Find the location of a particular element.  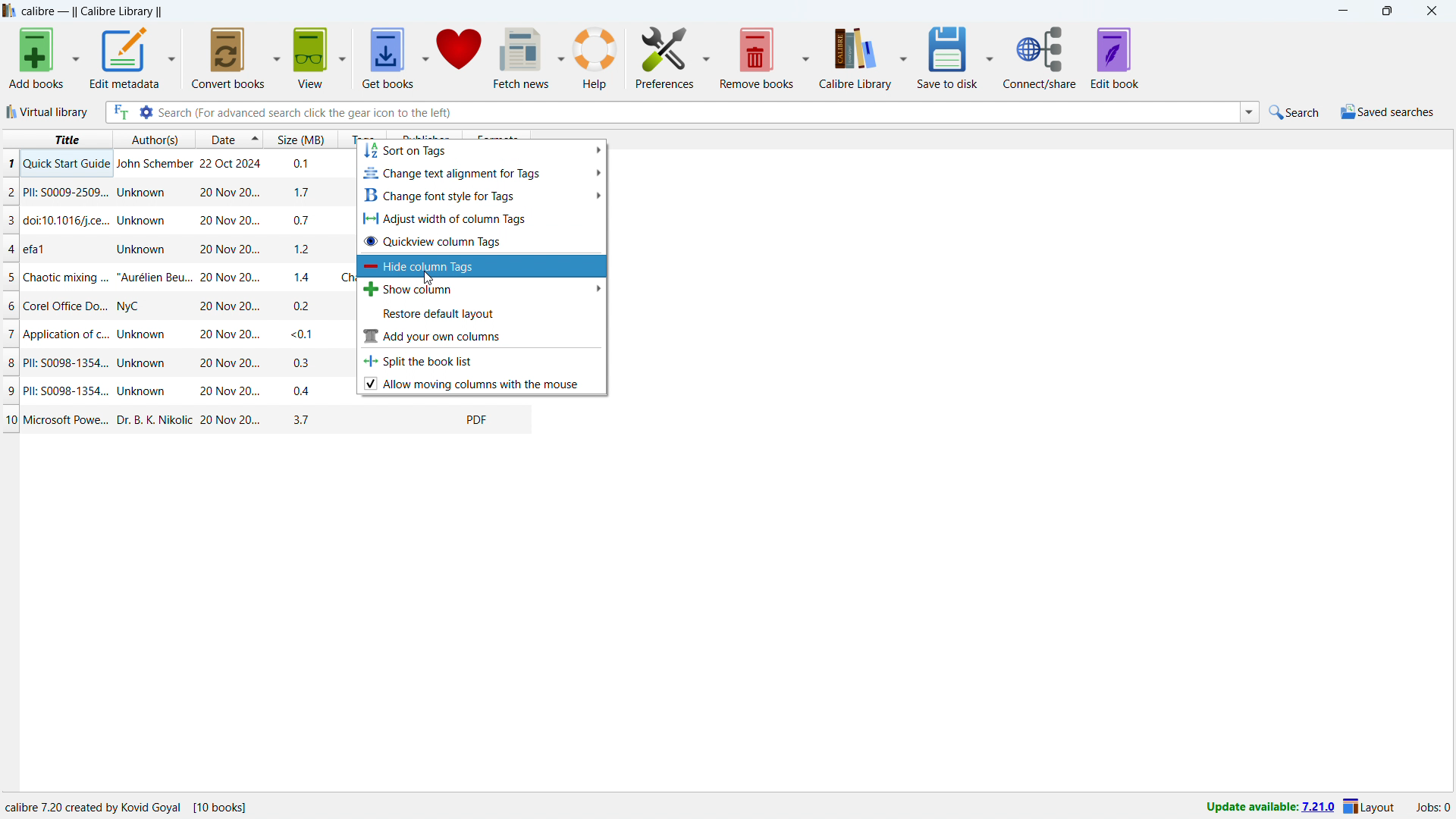

calibre library options is located at coordinates (905, 58).